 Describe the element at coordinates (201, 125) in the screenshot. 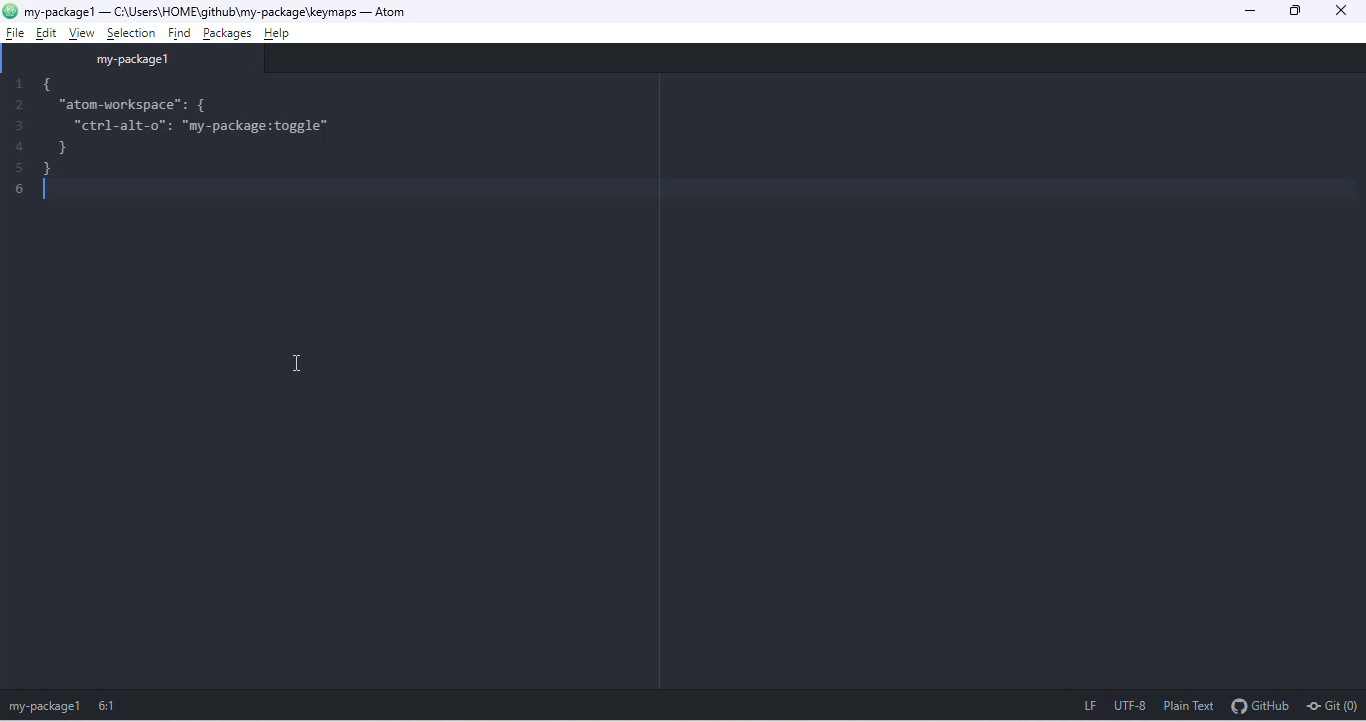

I see `code` at that location.